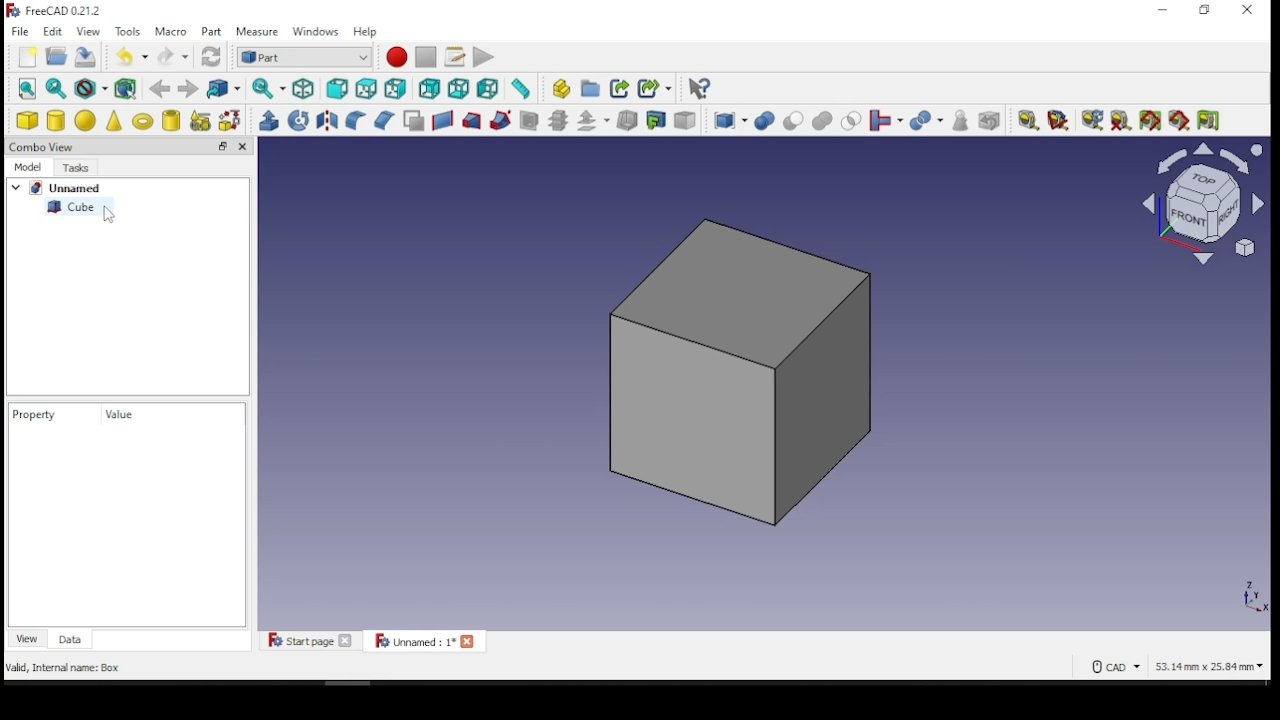 This screenshot has height=720, width=1280. I want to click on campher, so click(383, 119).